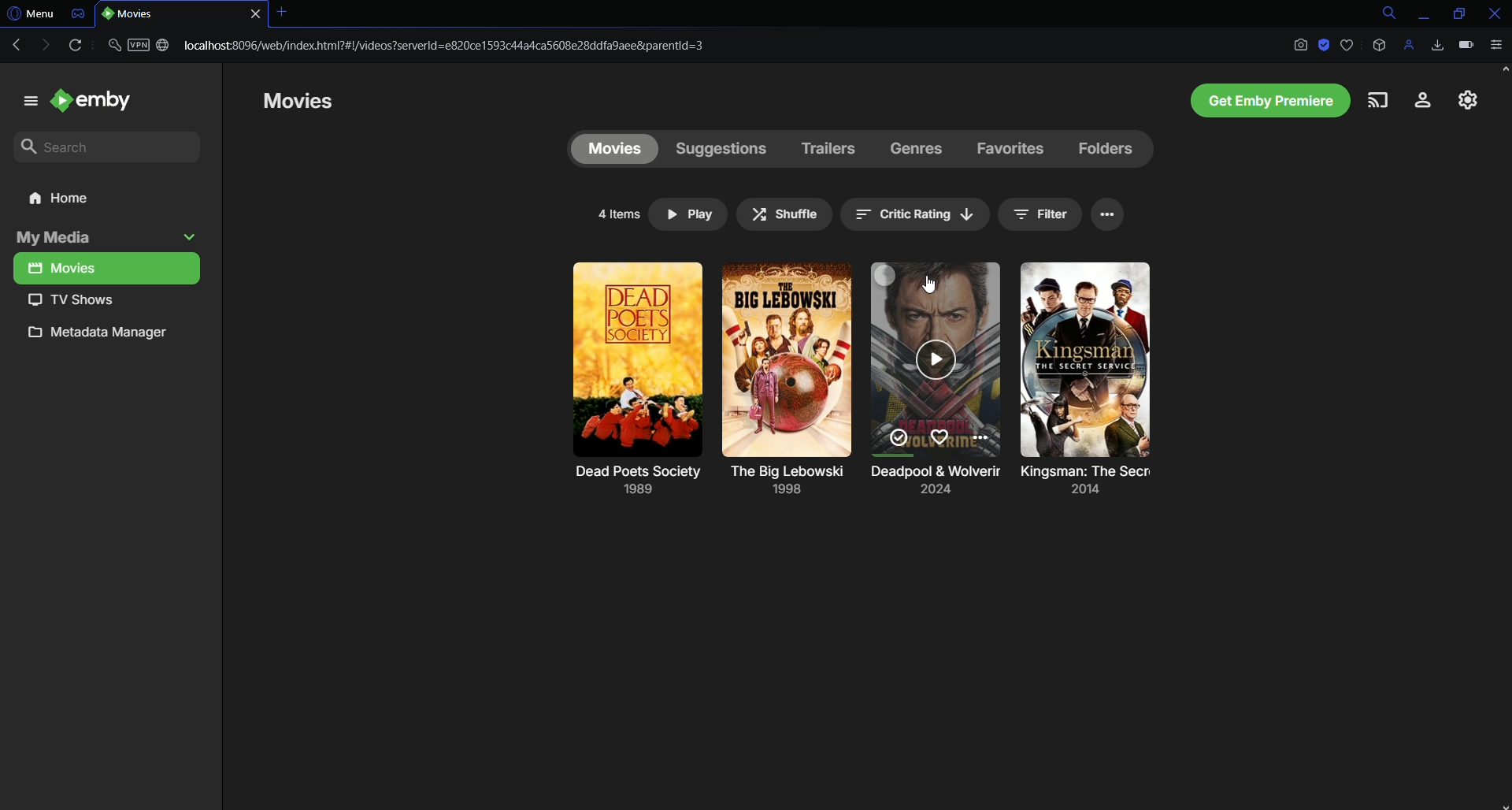 This screenshot has width=1512, height=810. What do you see at coordinates (182, 14) in the screenshot?
I see `Tab 1` at bounding box center [182, 14].